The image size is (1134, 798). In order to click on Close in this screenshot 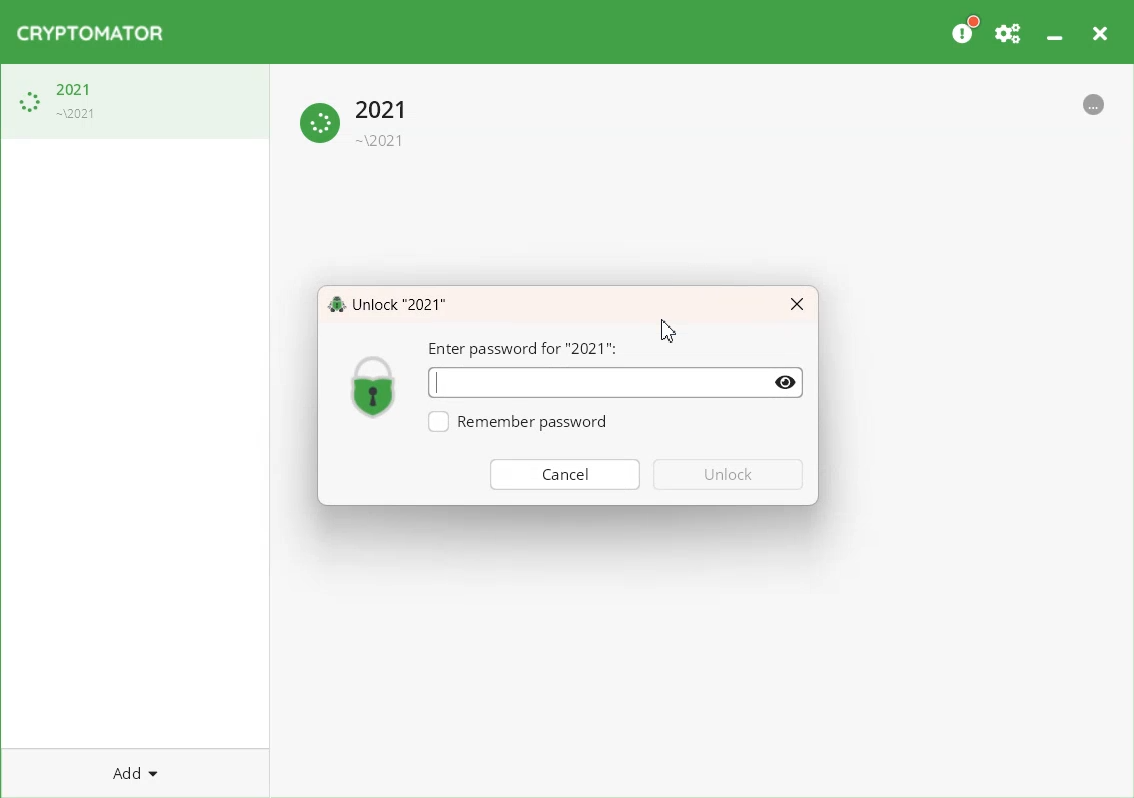, I will do `click(797, 305)`.